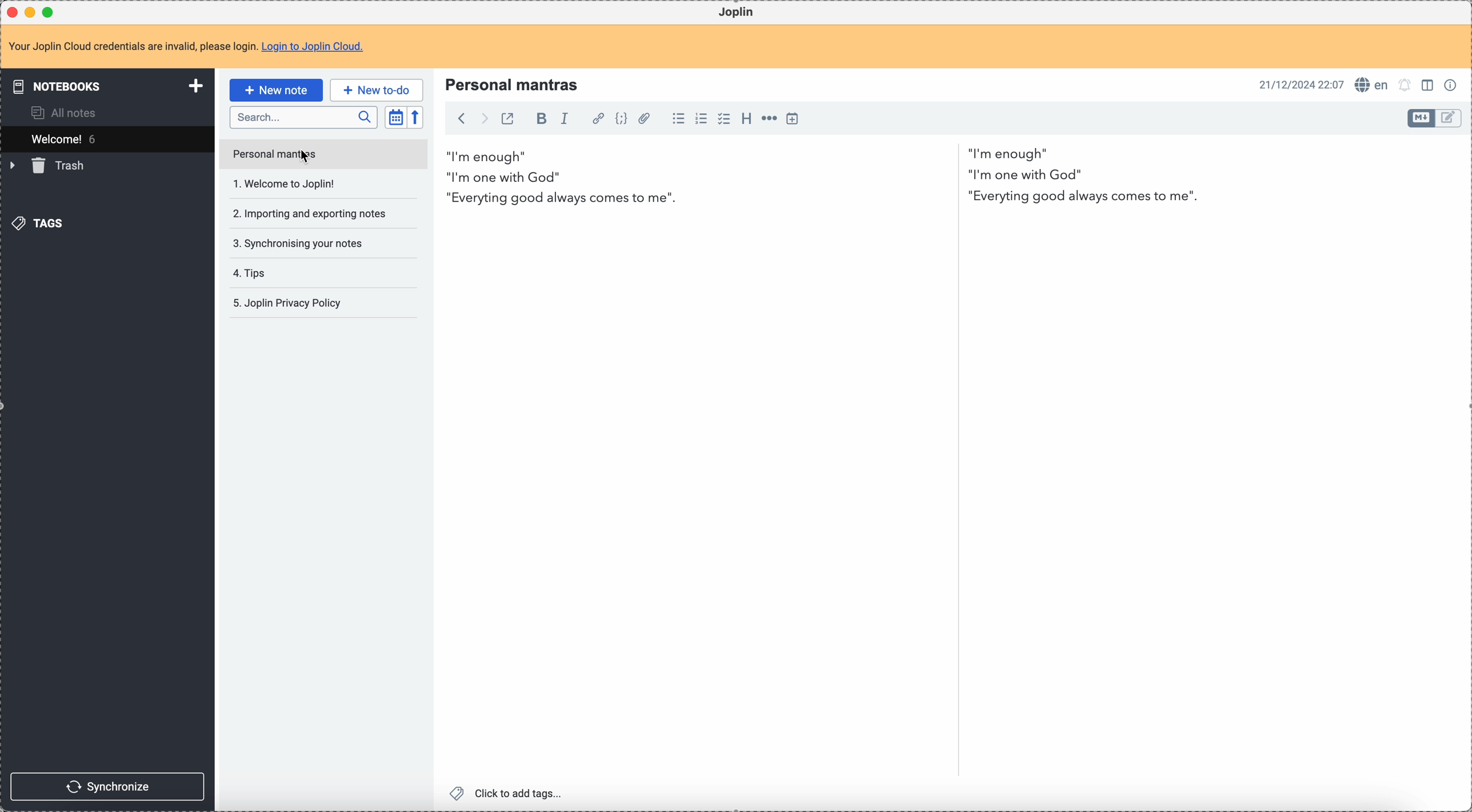  What do you see at coordinates (1453, 86) in the screenshot?
I see `note properties` at bounding box center [1453, 86].